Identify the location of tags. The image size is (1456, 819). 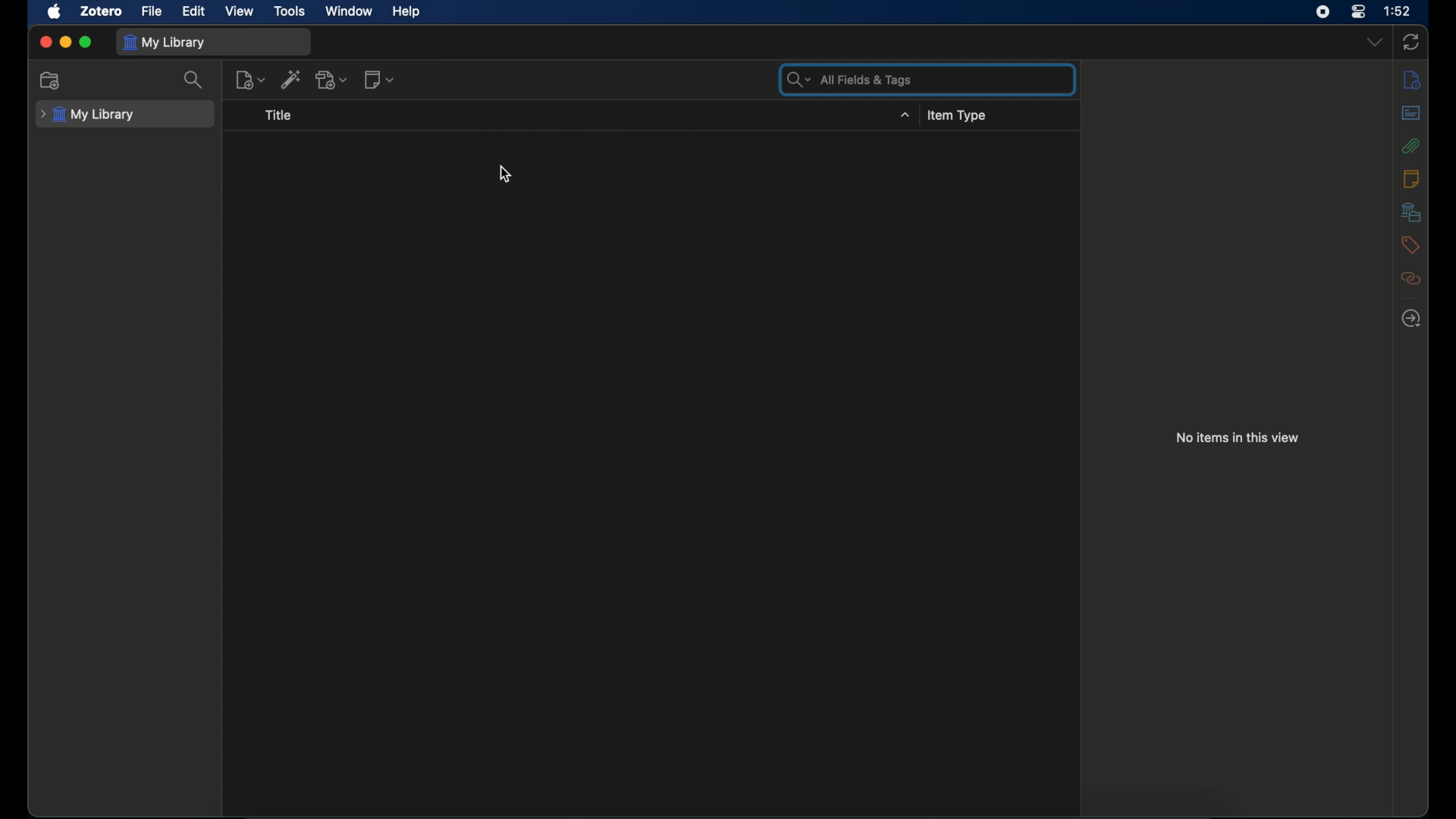
(1409, 245).